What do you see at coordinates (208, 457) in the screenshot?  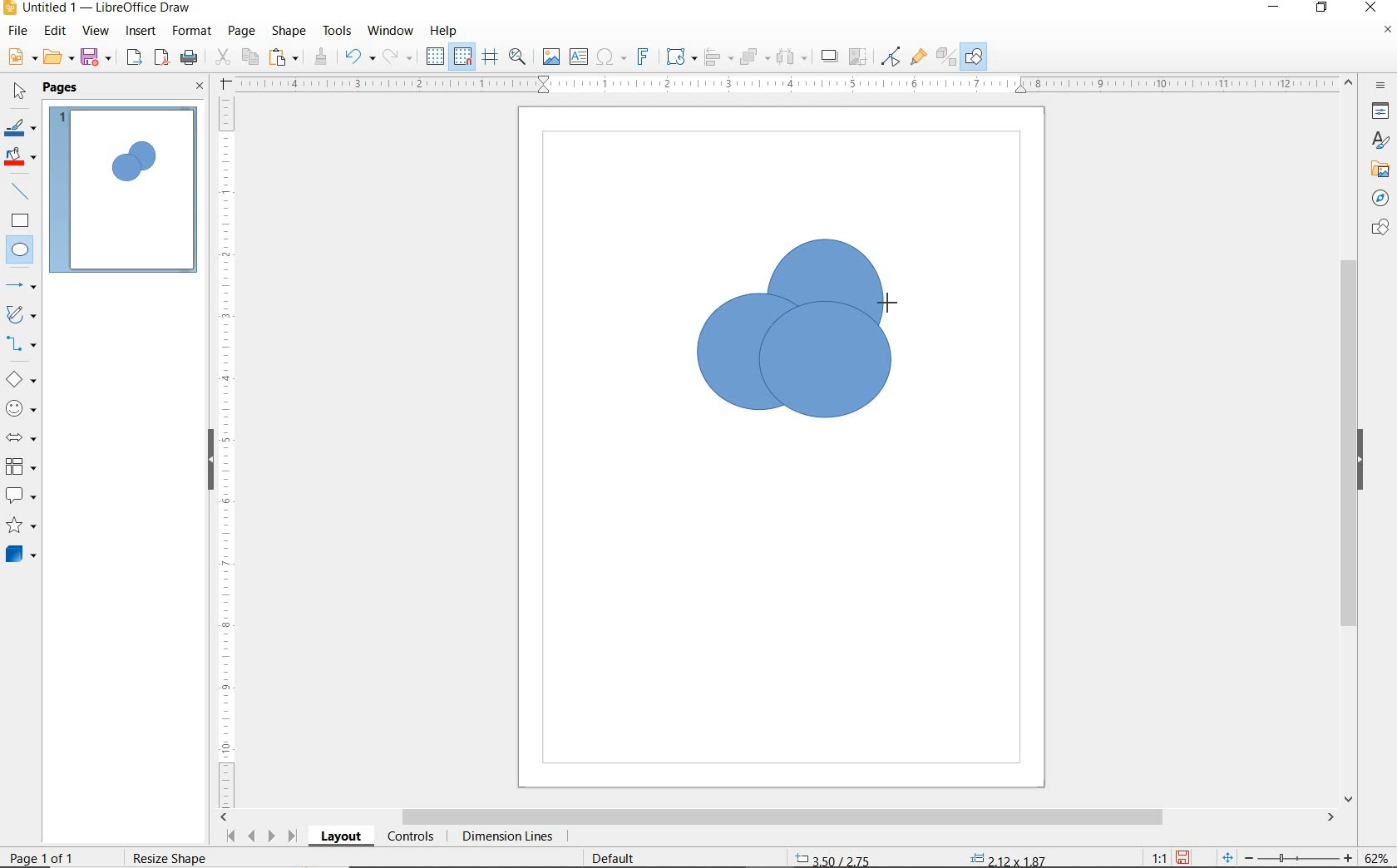 I see `HIDE` at bounding box center [208, 457].